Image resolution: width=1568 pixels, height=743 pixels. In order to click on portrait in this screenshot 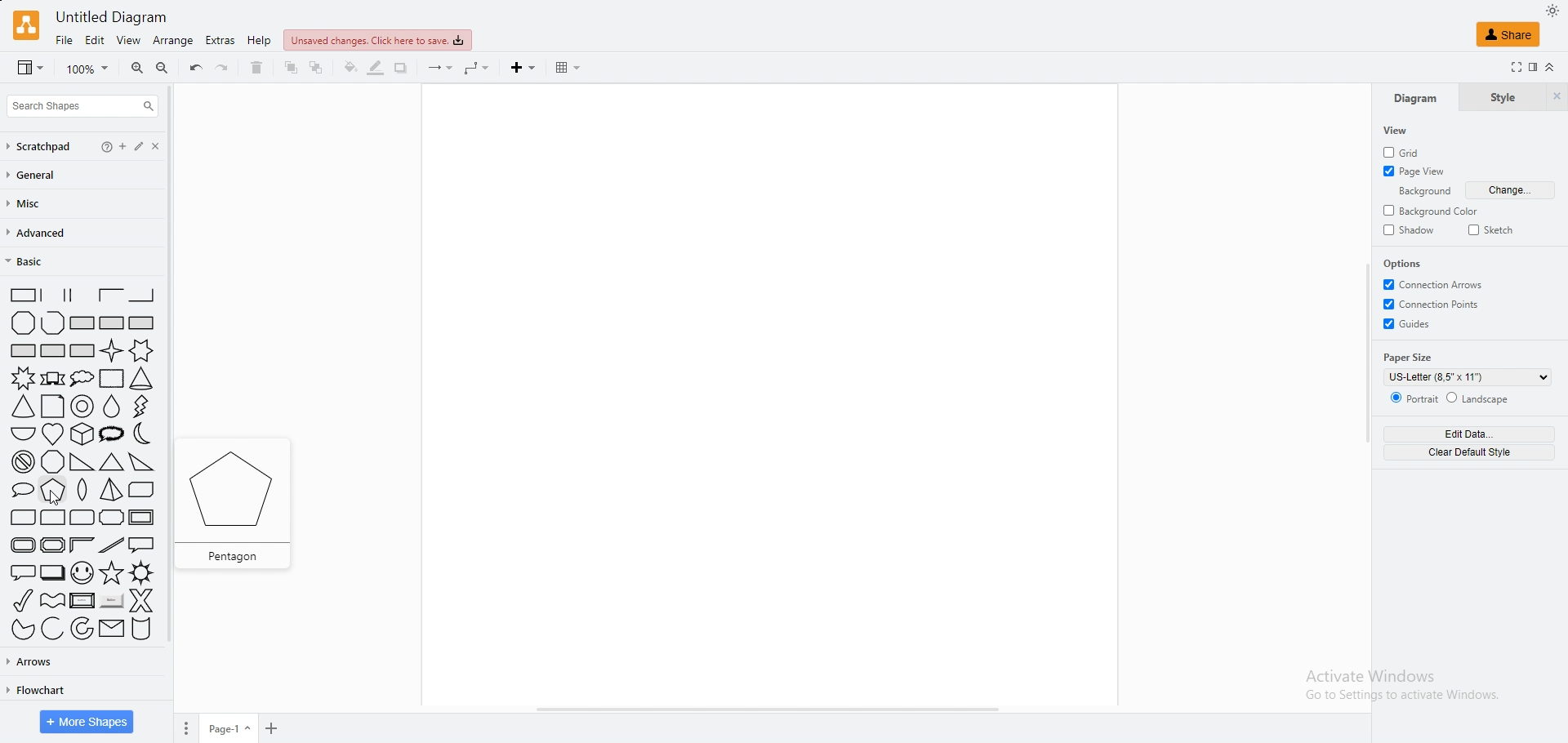, I will do `click(1410, 398)`.